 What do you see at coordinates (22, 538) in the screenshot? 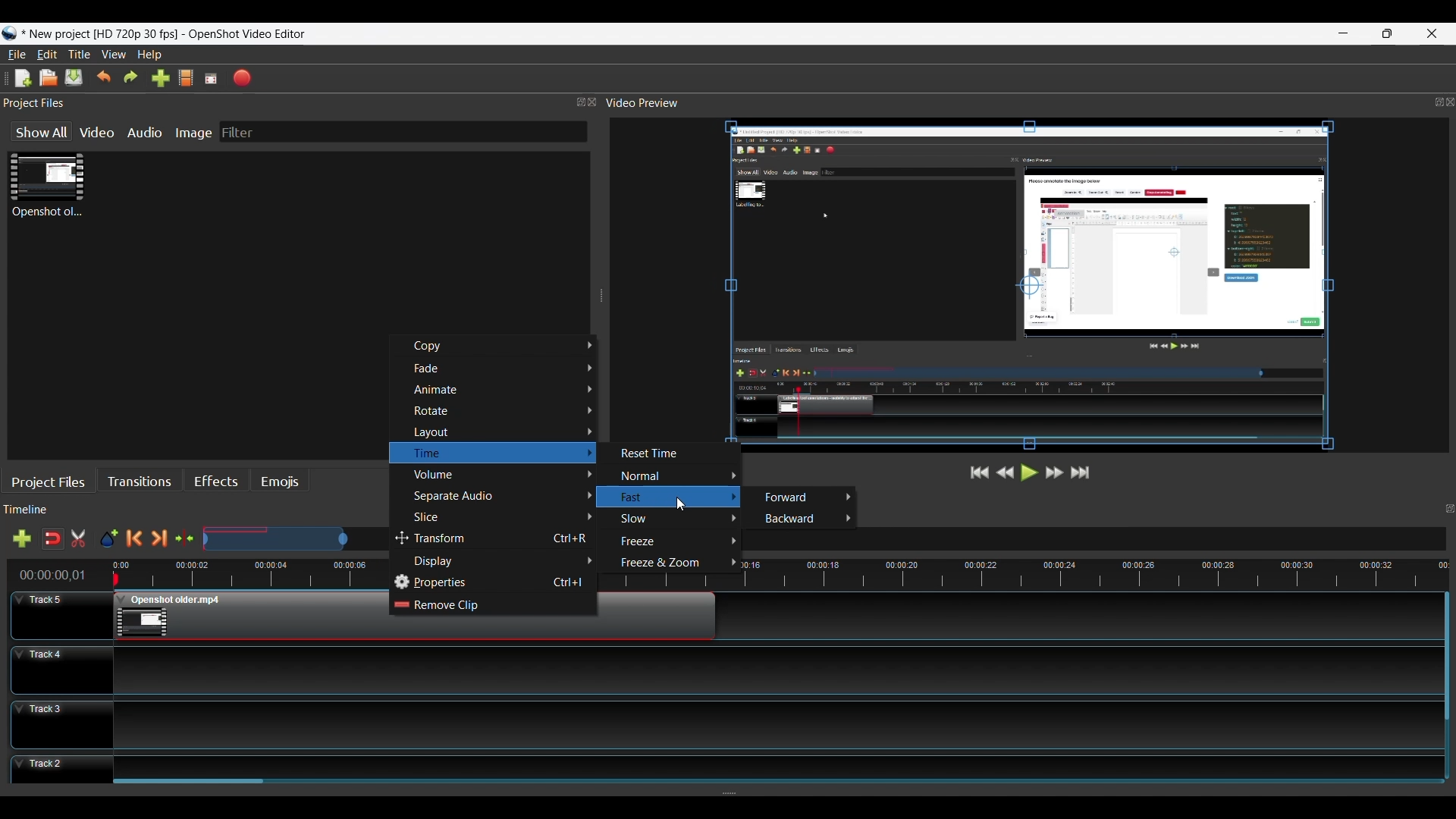
I see `Add Track` at bounding box center [22, 538].